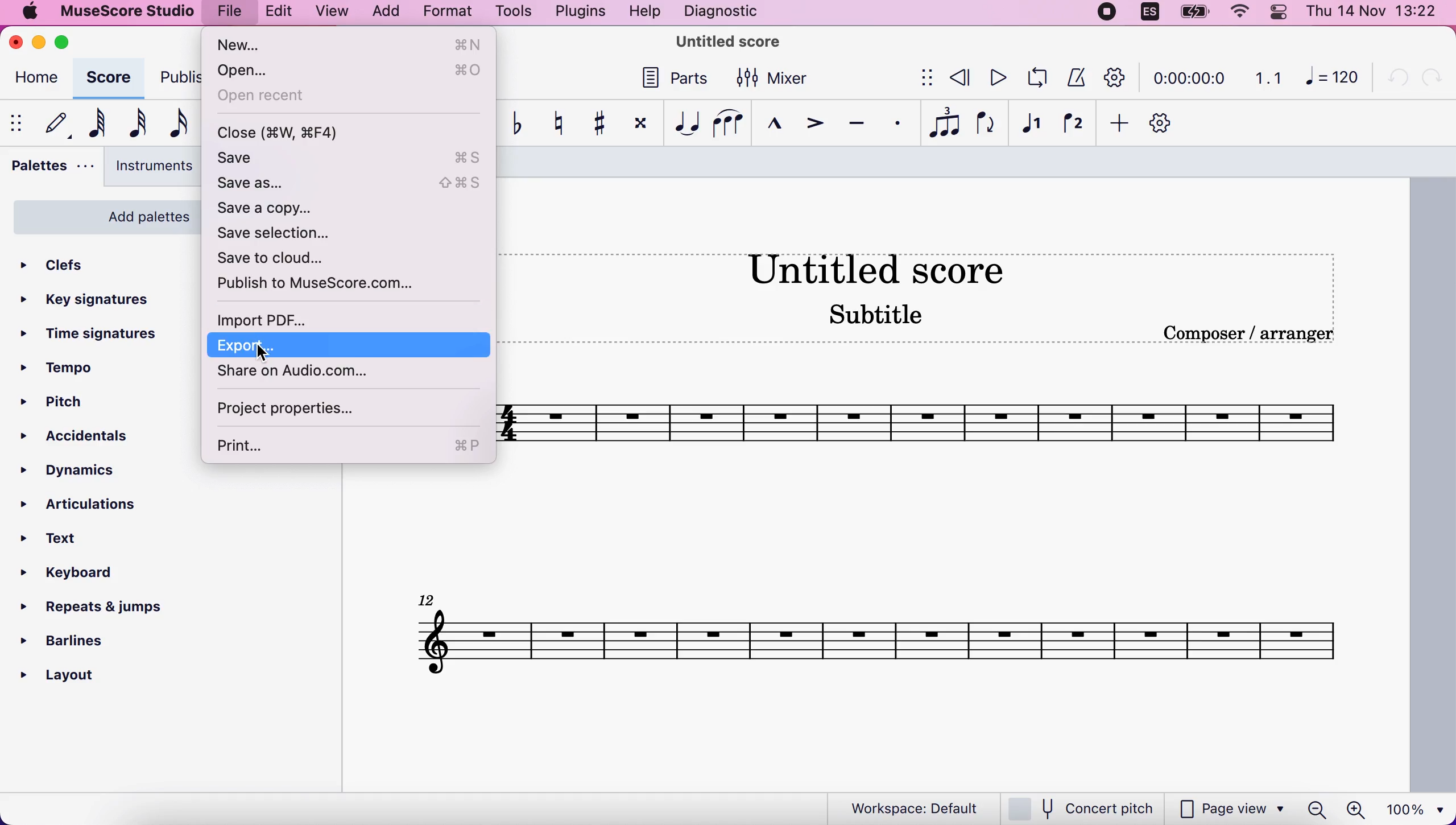 This screenshot has height=825, width=1456. Describe the element at coordinates (1111, 77) in the screenshot. I see `customization tool` at that location.